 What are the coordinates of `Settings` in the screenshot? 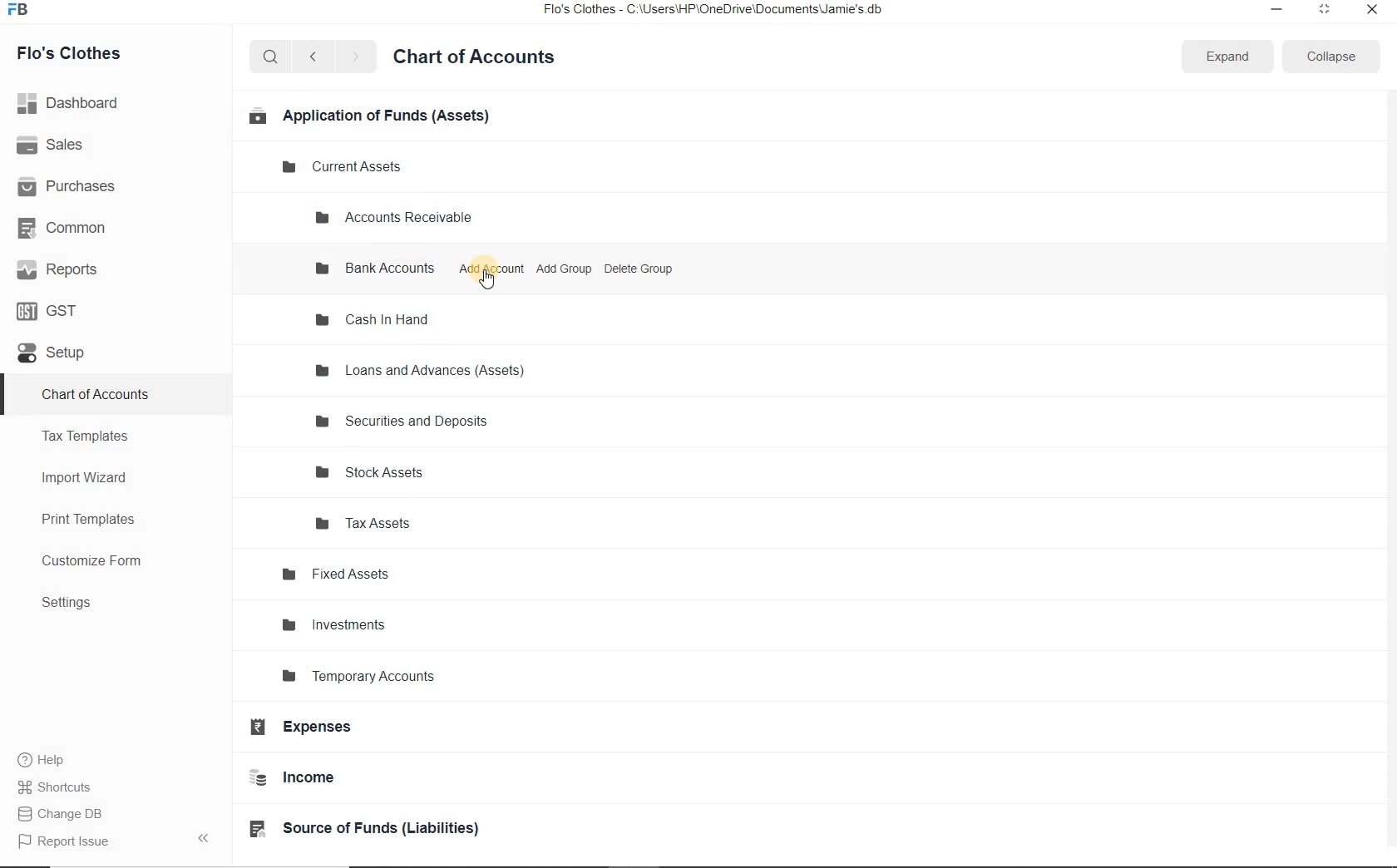 It's located at (113, 604).